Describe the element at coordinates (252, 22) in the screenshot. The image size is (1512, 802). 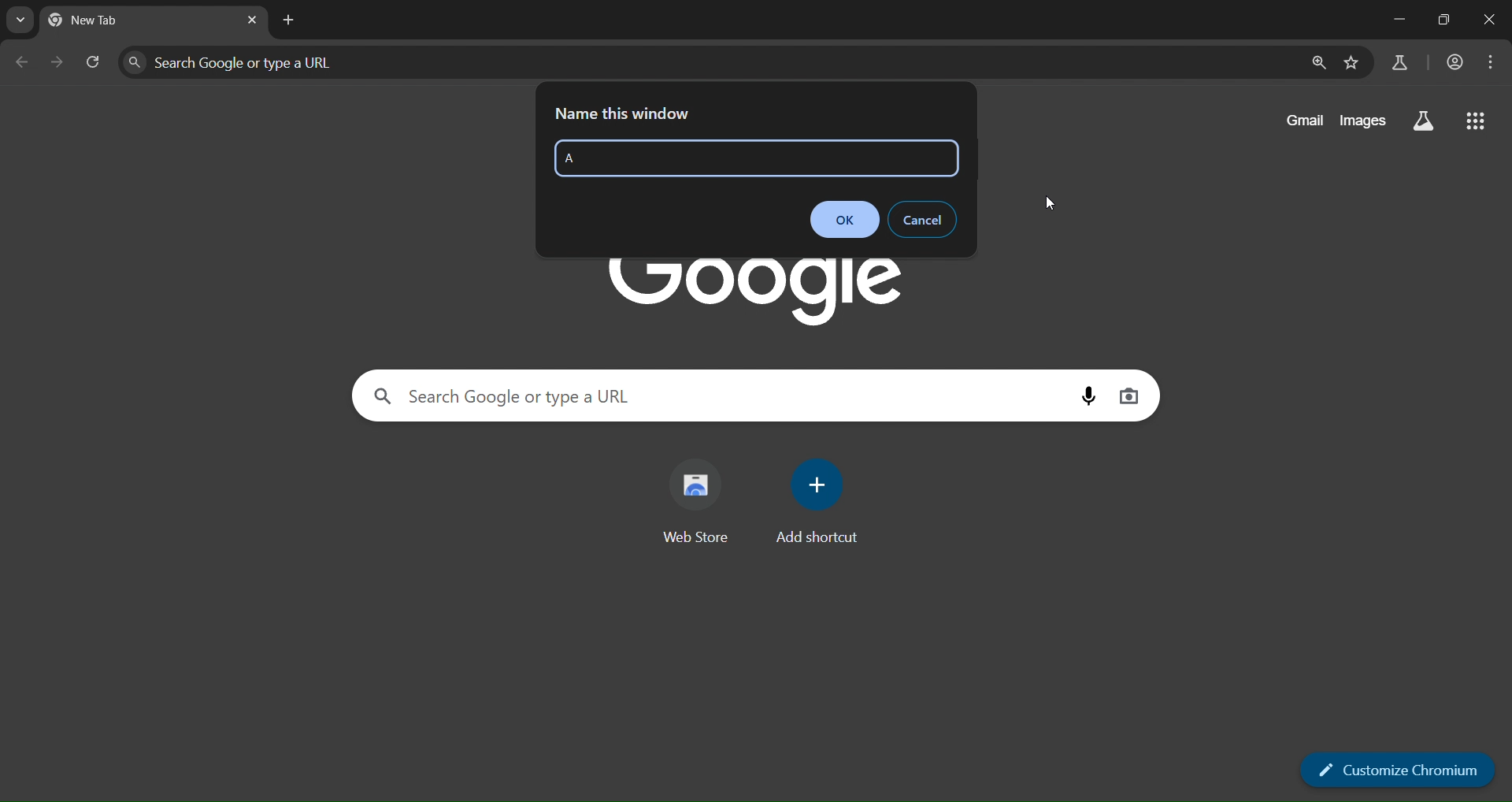
I see `close tab` at that location.